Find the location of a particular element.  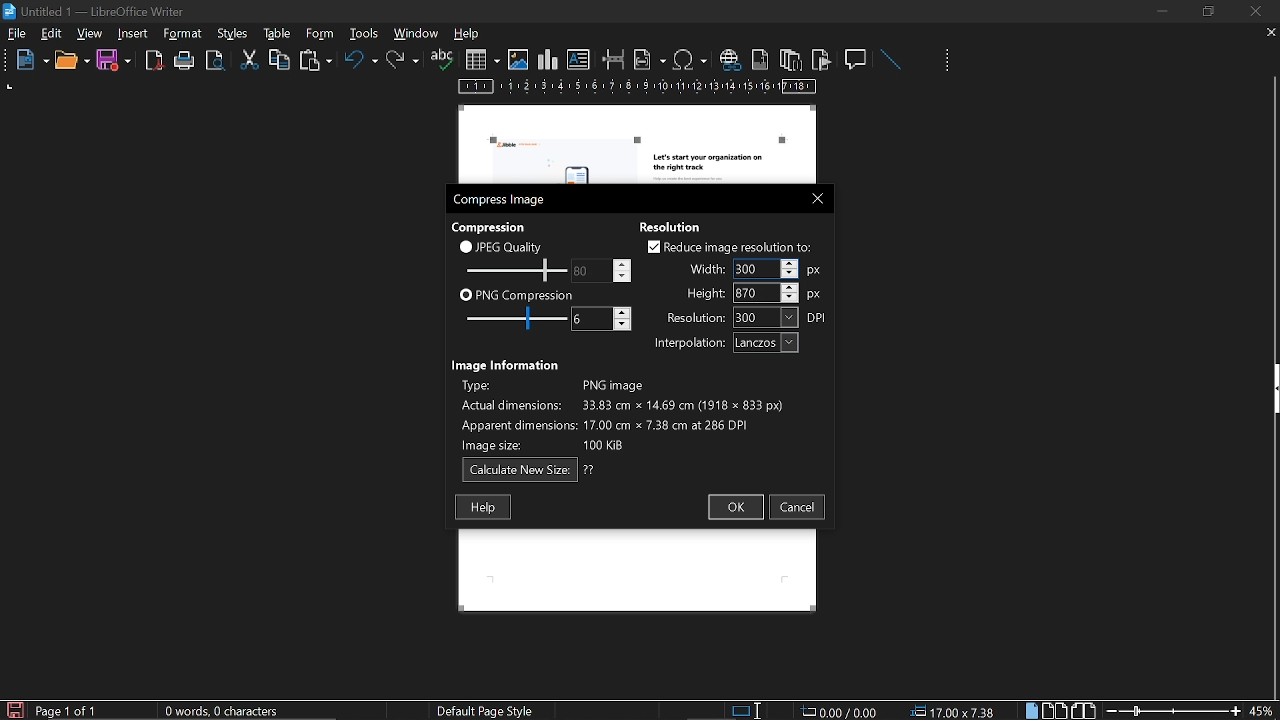

form is located at coordinates (366, 33).